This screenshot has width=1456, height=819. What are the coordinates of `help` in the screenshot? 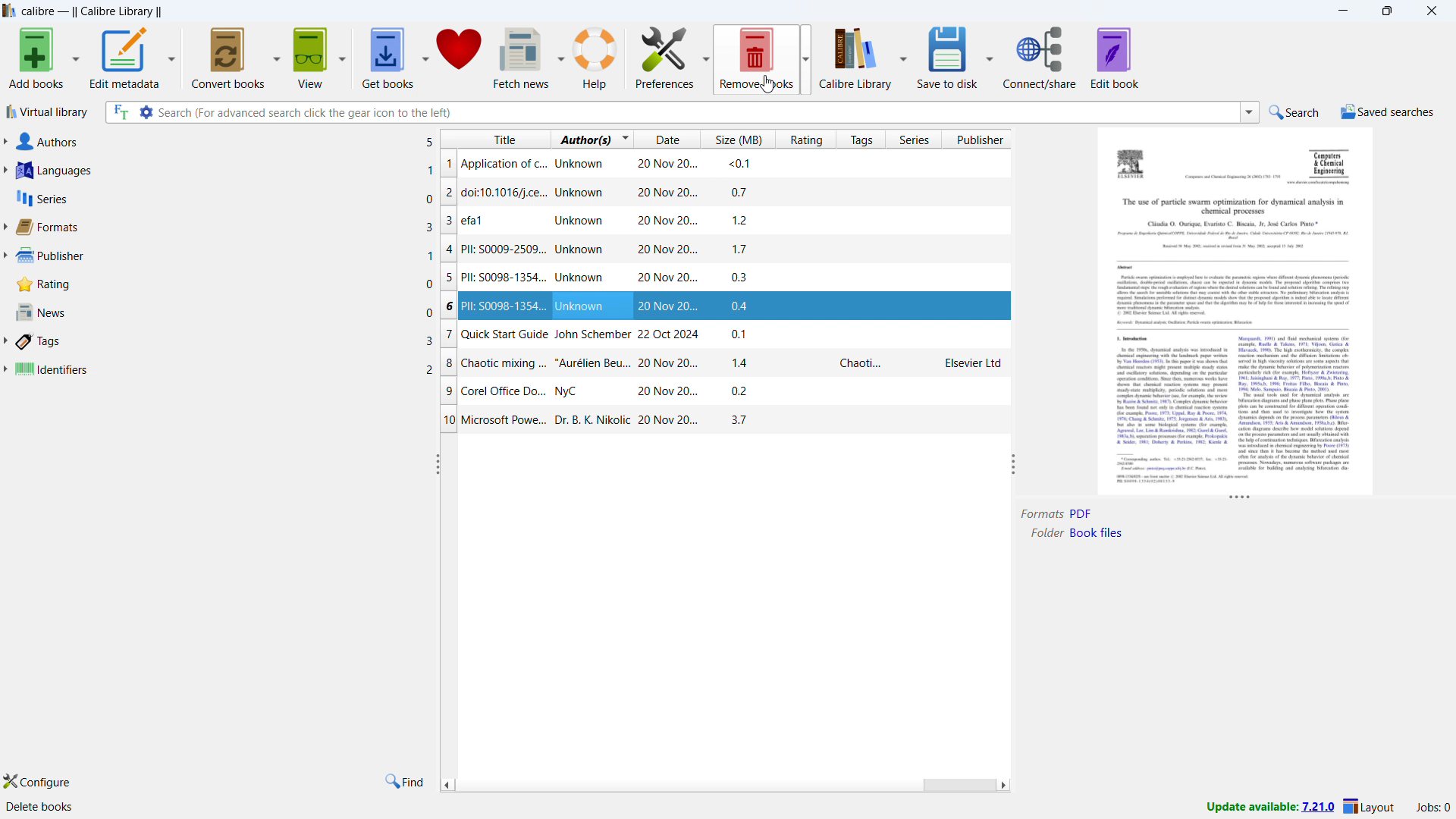 It's located at (596, 55).